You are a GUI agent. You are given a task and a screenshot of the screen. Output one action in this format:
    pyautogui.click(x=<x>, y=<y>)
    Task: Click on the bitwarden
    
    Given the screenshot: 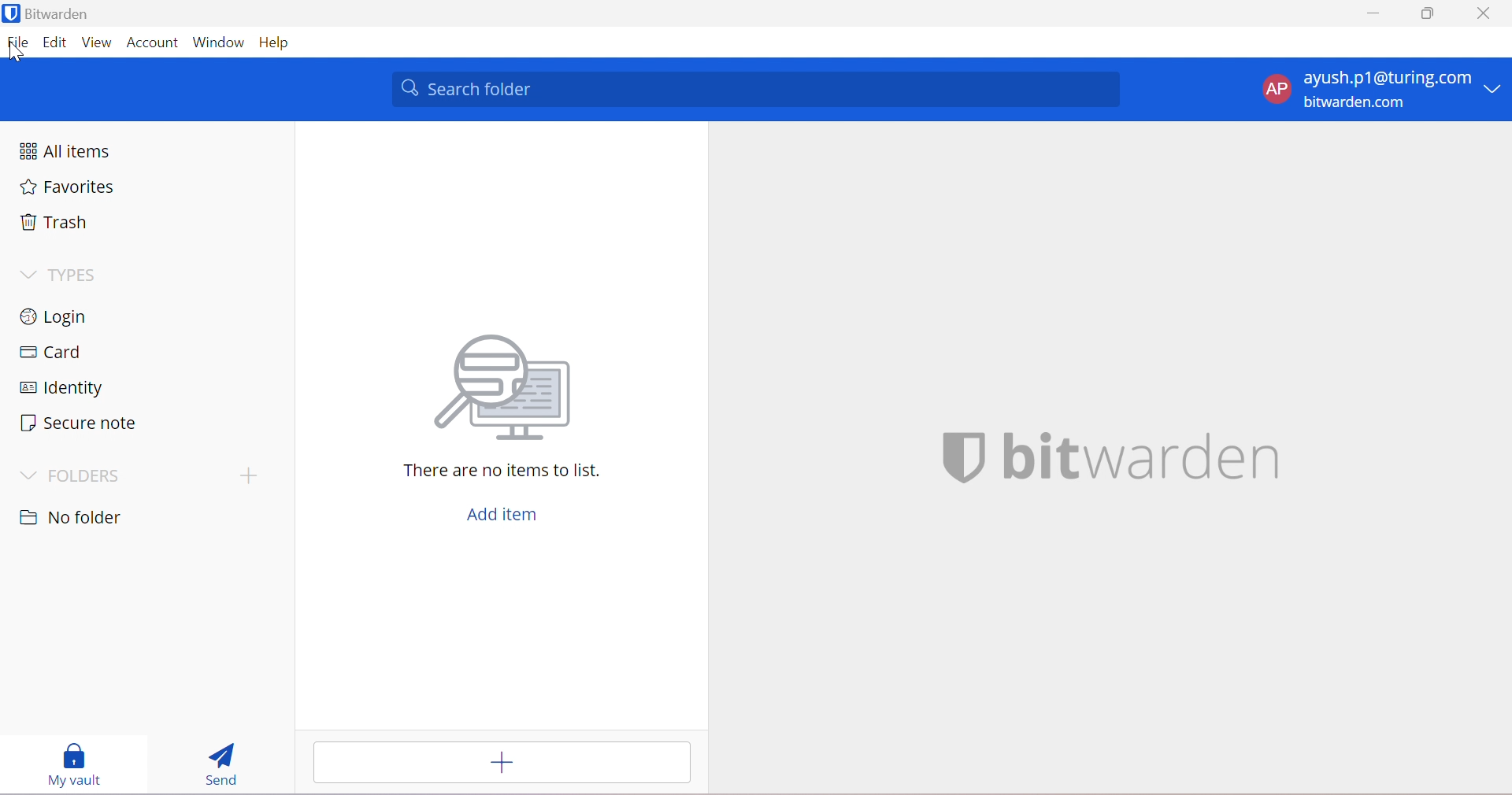 What is the action you would take?
    pyautogui.click(x=1142, y=457)
    